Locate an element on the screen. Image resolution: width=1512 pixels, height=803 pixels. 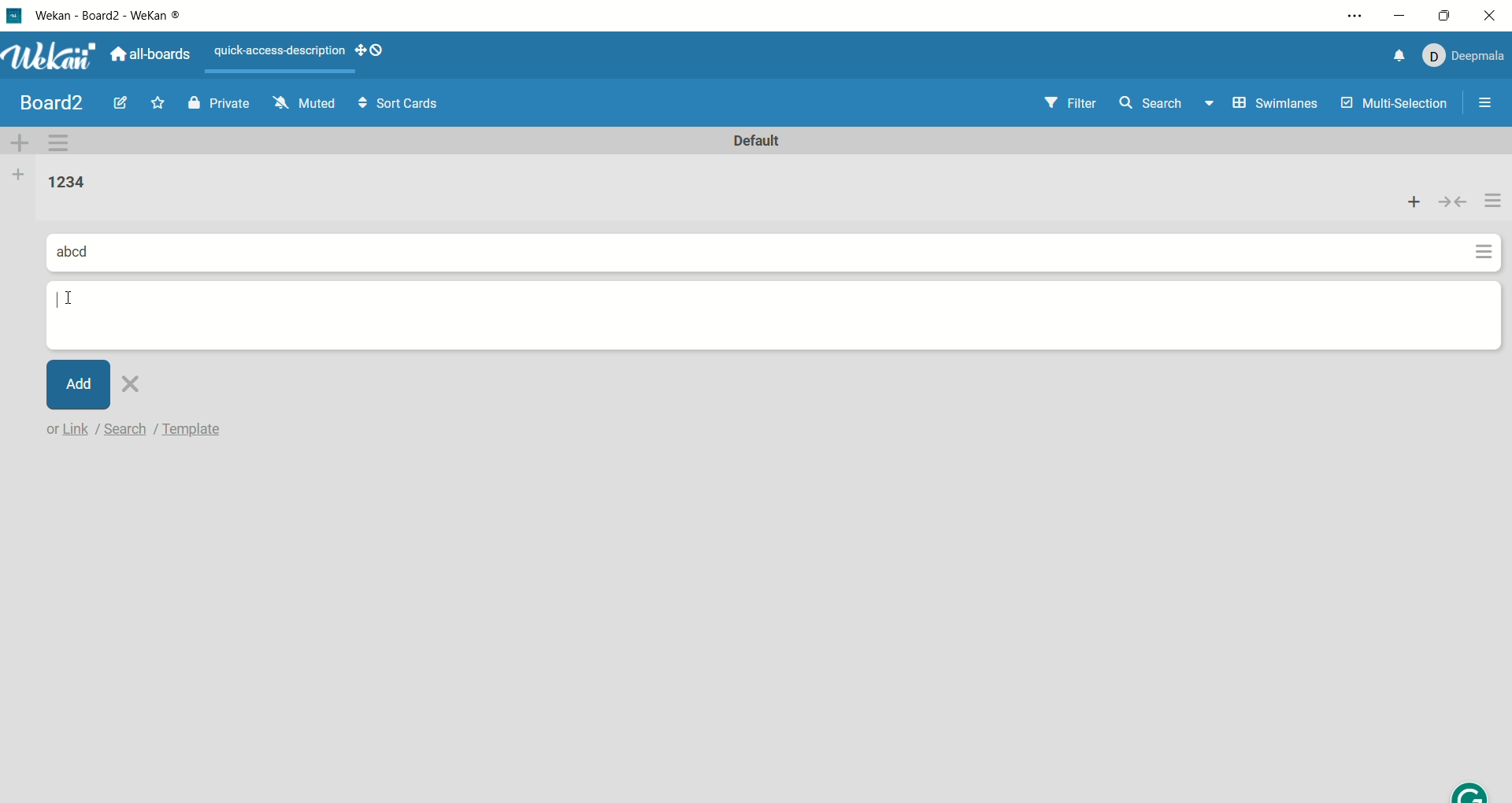
show-desktop-drag-handles is located at coordinates (361, 48).